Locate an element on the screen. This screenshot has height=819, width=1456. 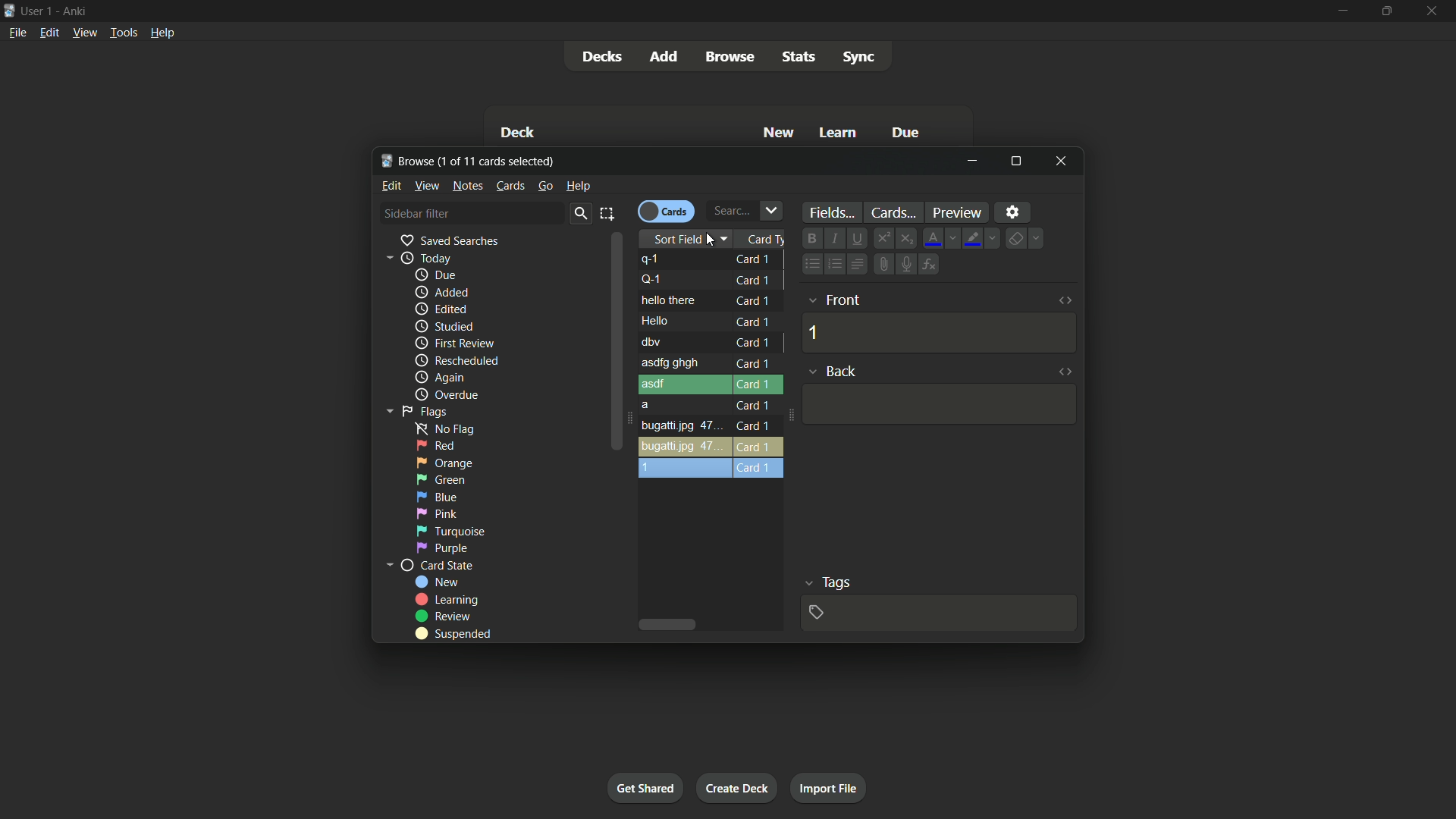
cards is located at coordinates (510, 185).